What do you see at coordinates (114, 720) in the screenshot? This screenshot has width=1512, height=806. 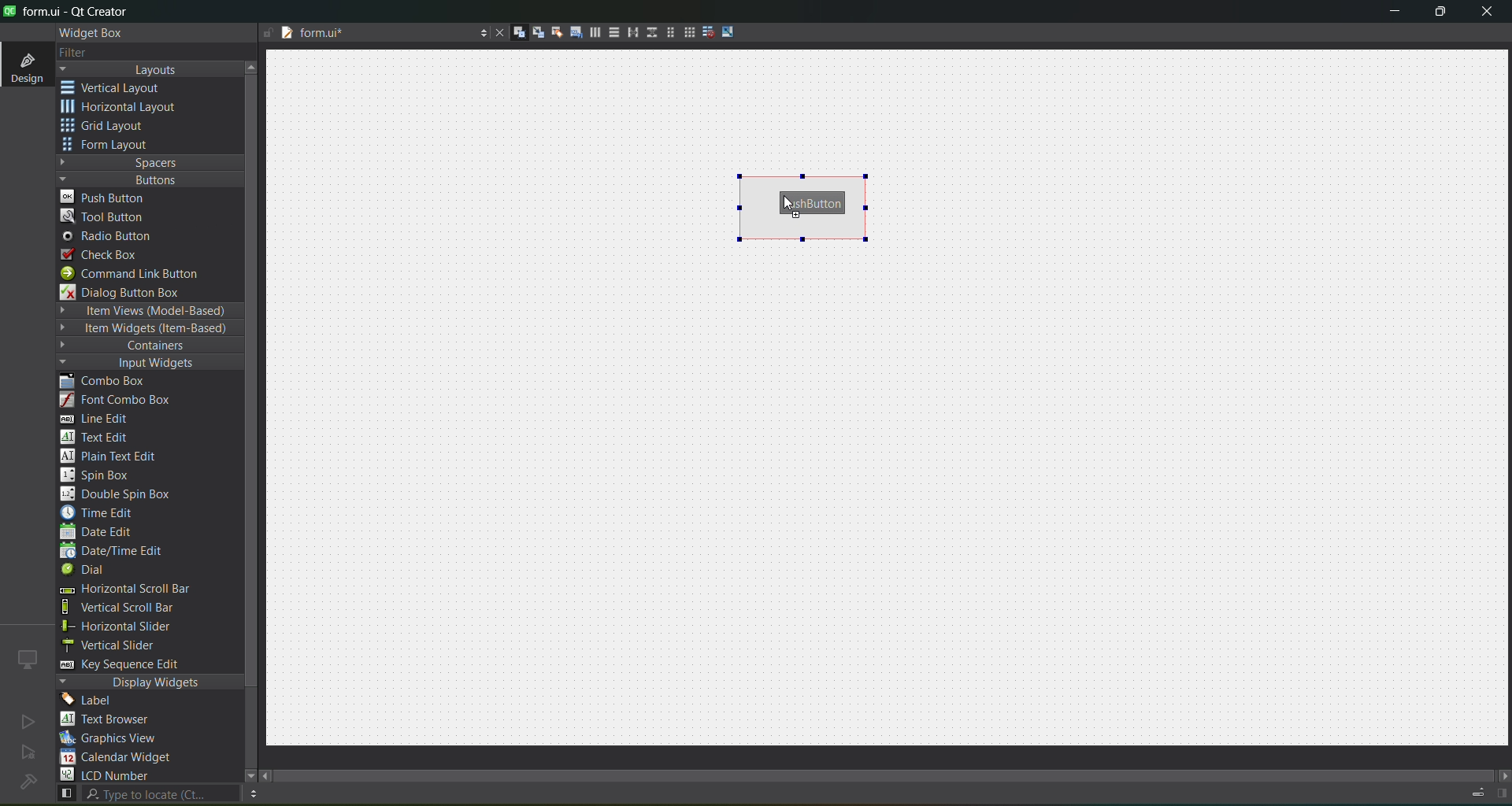 I see `text` at bounding box center [114, 720].